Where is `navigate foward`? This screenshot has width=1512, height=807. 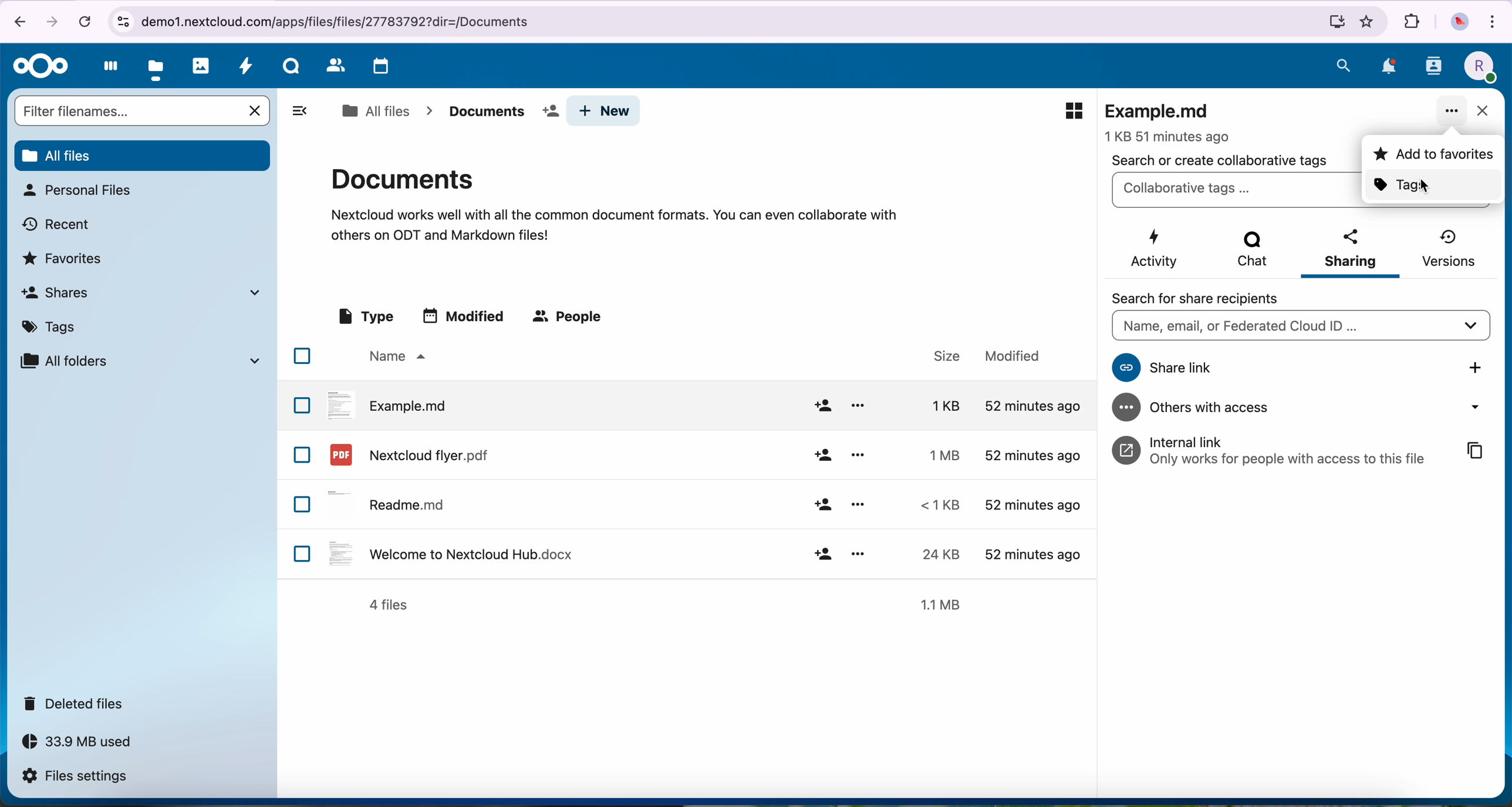
navigate foward is located at coordinates (55, 20).